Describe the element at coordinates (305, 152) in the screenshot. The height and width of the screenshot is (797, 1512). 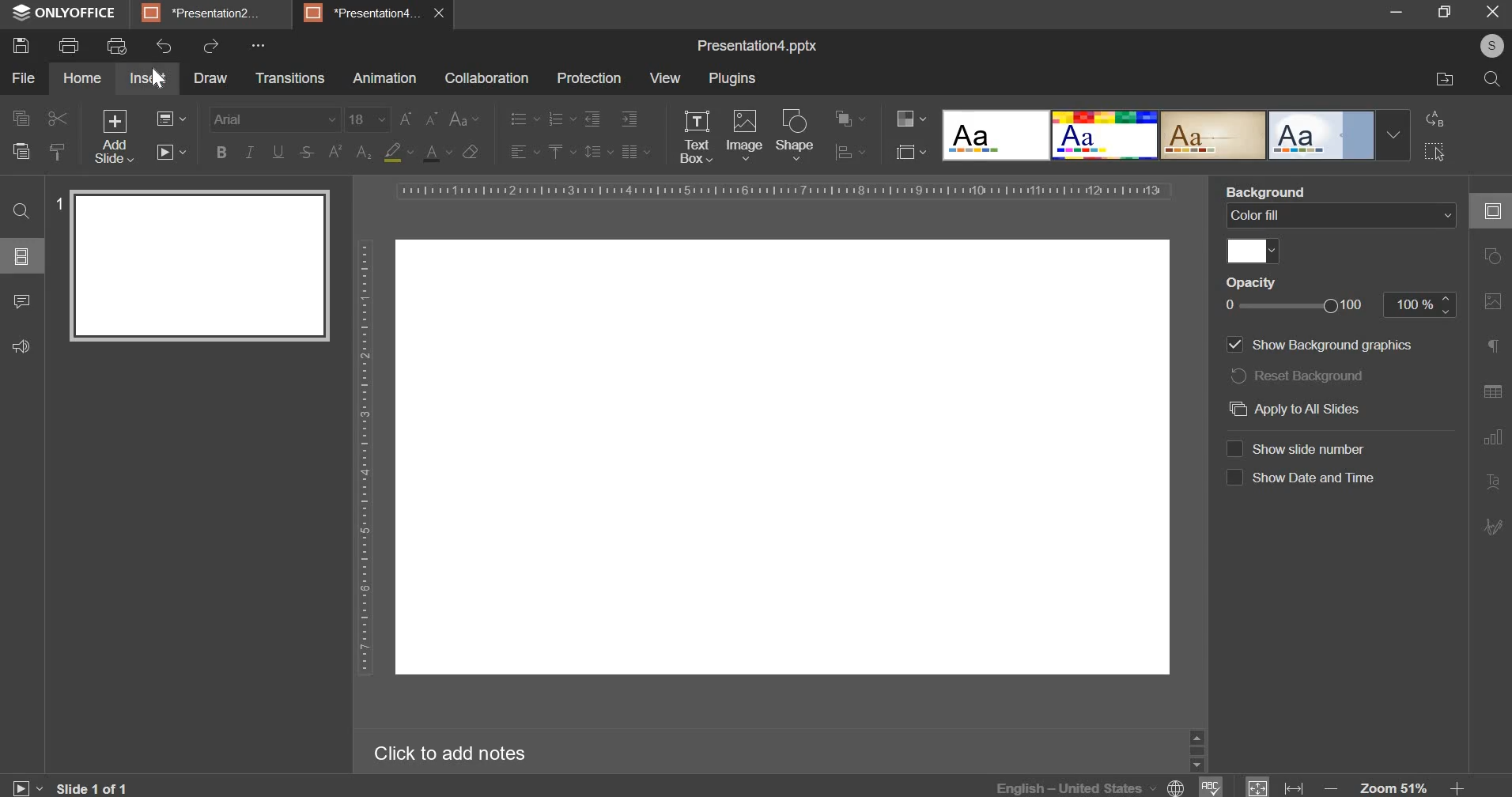
I see `strikethrough` at that location.